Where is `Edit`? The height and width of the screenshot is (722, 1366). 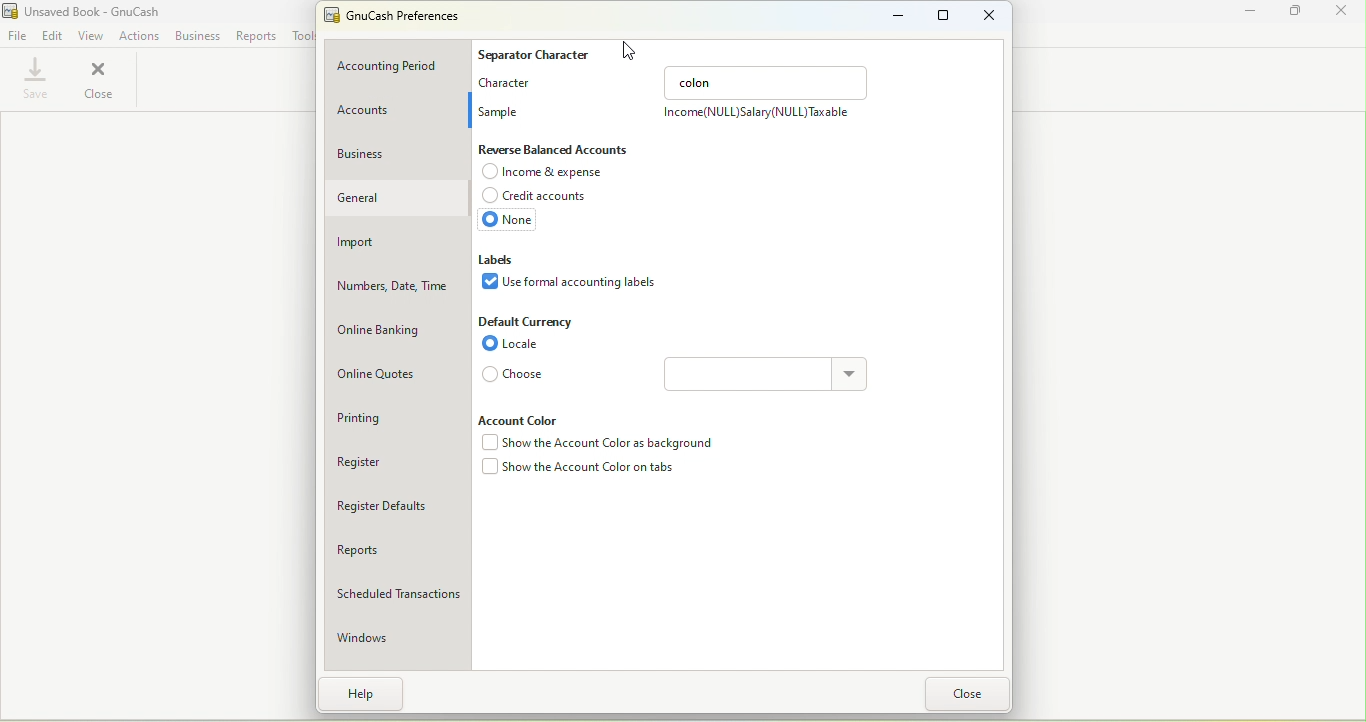
Edit is located at coordinates (53, 33).